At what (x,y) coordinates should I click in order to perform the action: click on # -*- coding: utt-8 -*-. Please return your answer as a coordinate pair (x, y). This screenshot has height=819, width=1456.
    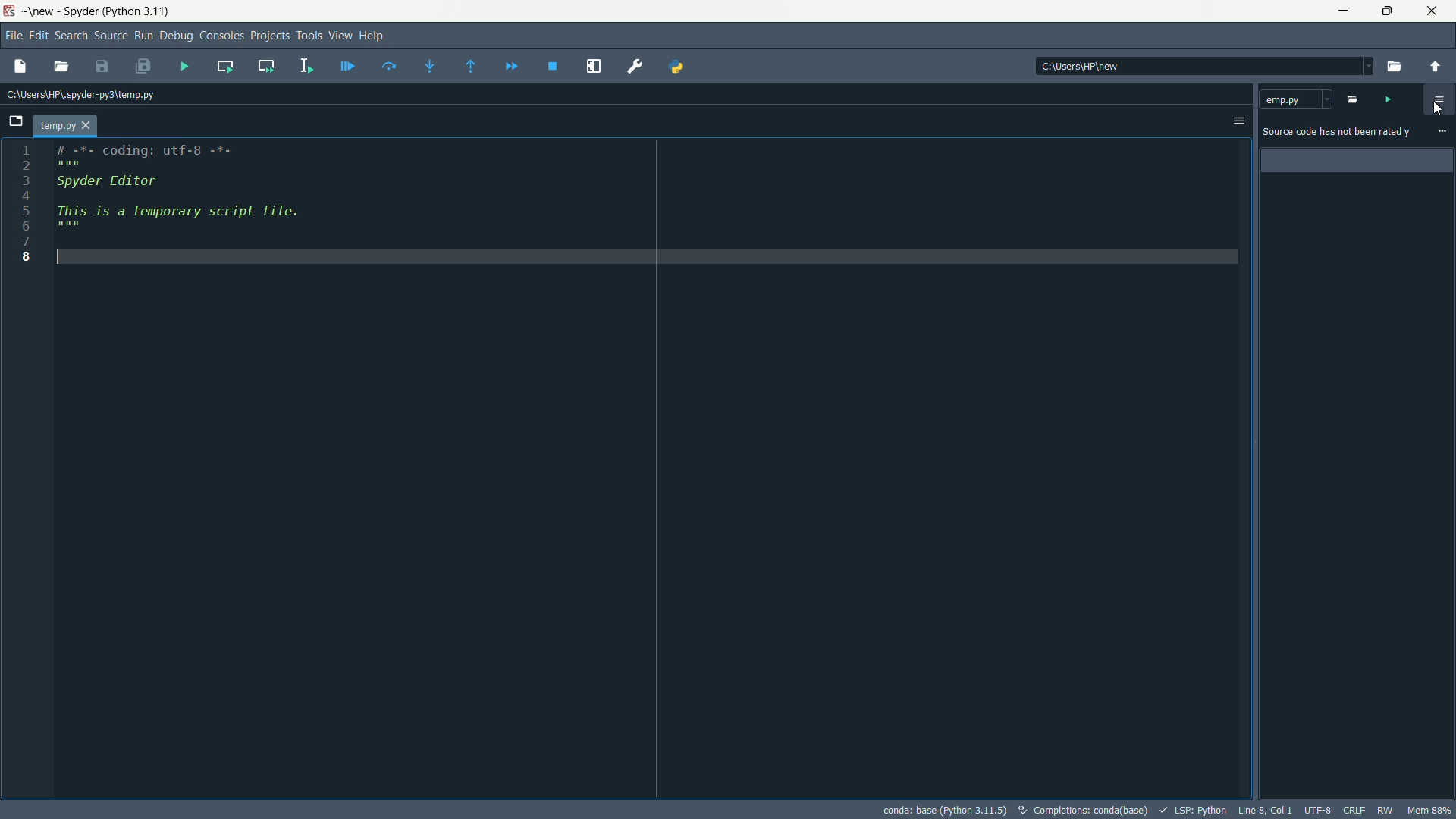
    Looking at the image, I should click on (149, 155).